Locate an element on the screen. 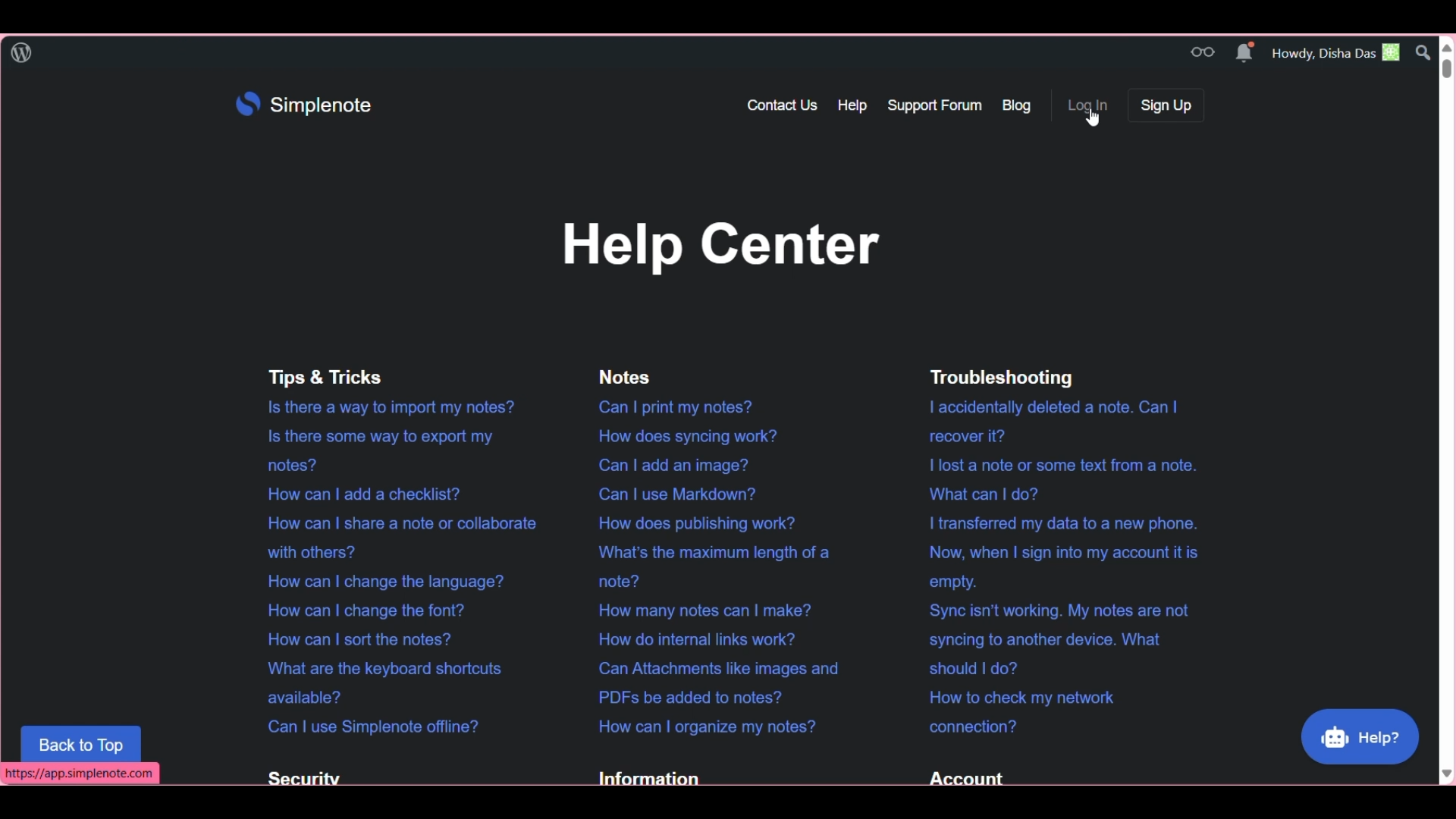 This screenshot has height=819, width=1456. Contact us is located at coordinates (781, 106).